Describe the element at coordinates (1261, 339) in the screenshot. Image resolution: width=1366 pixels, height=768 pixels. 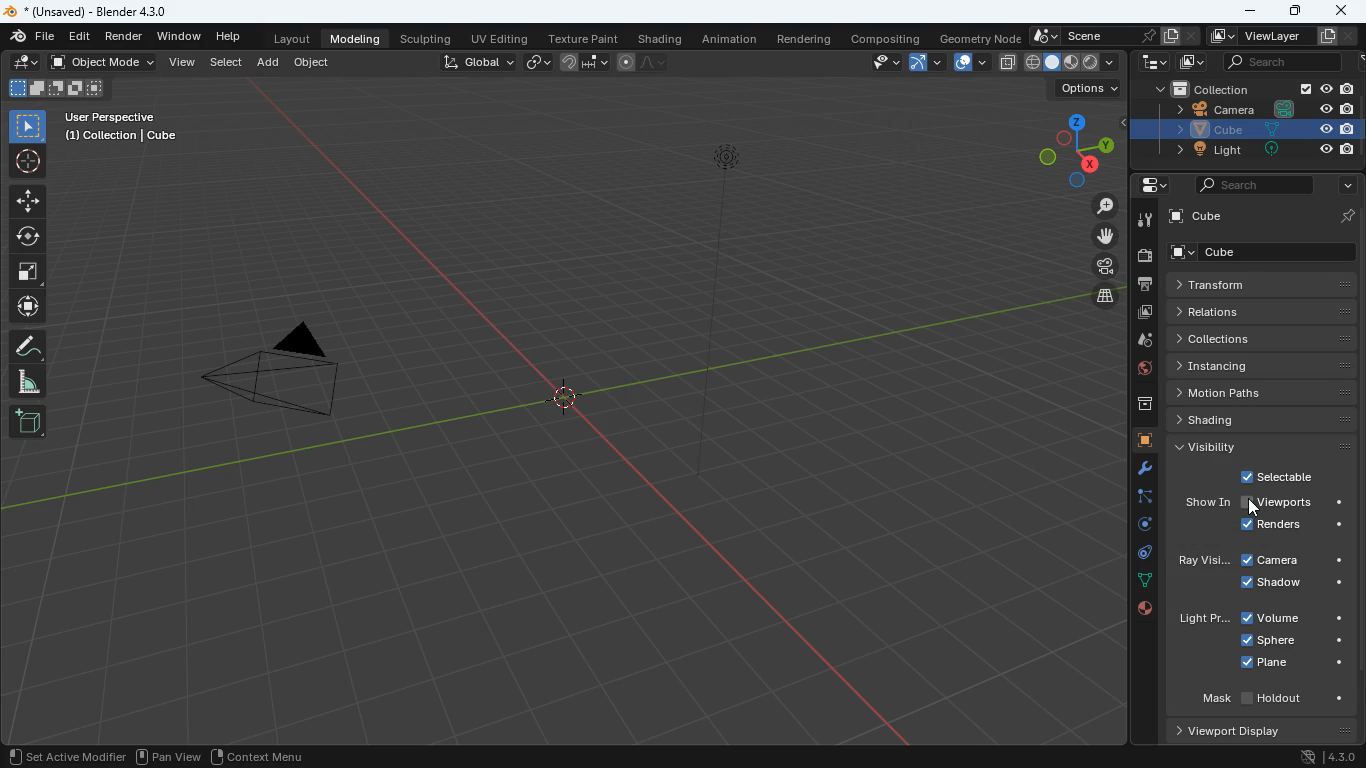
I see `collections` at that location.